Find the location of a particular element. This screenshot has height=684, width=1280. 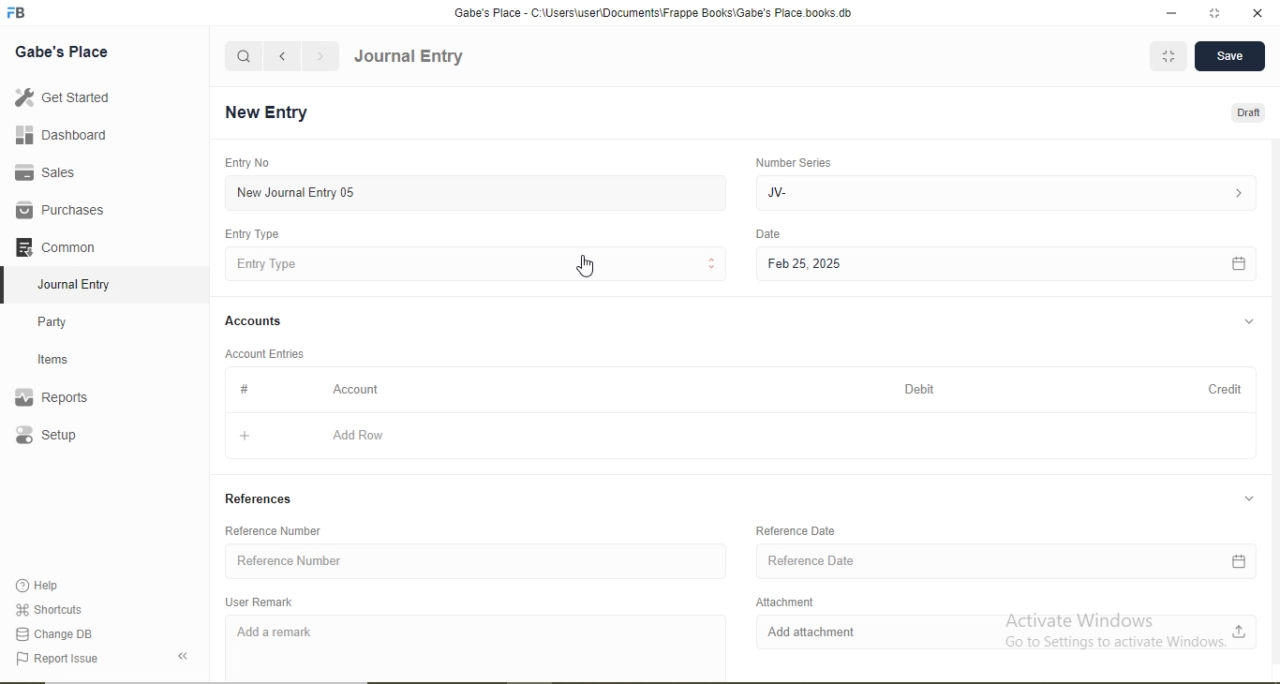

MINIMIZE WINDOW is located at coordinates (1166, 56).